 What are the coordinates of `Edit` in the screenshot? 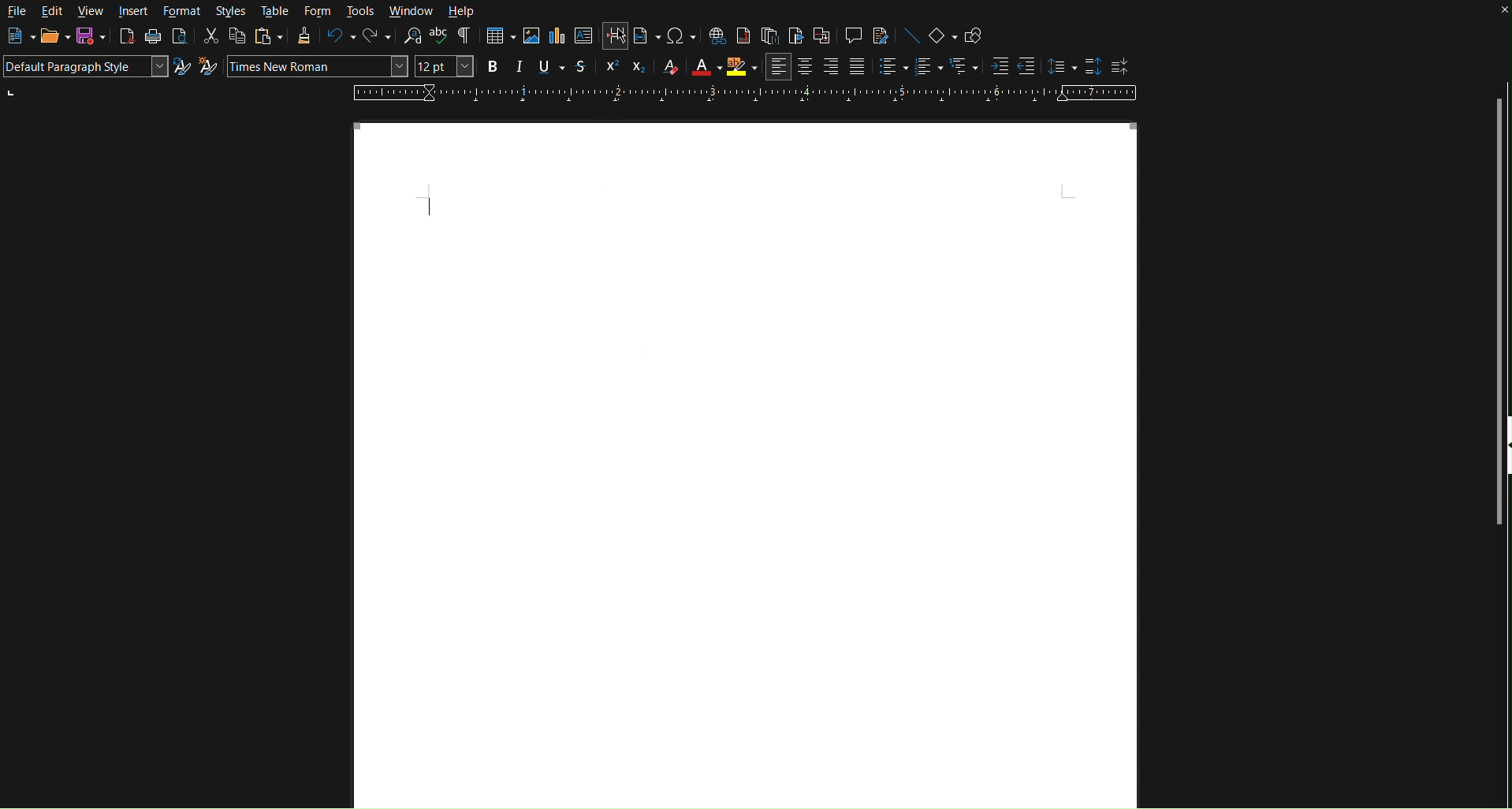 It's located at (51, 12).